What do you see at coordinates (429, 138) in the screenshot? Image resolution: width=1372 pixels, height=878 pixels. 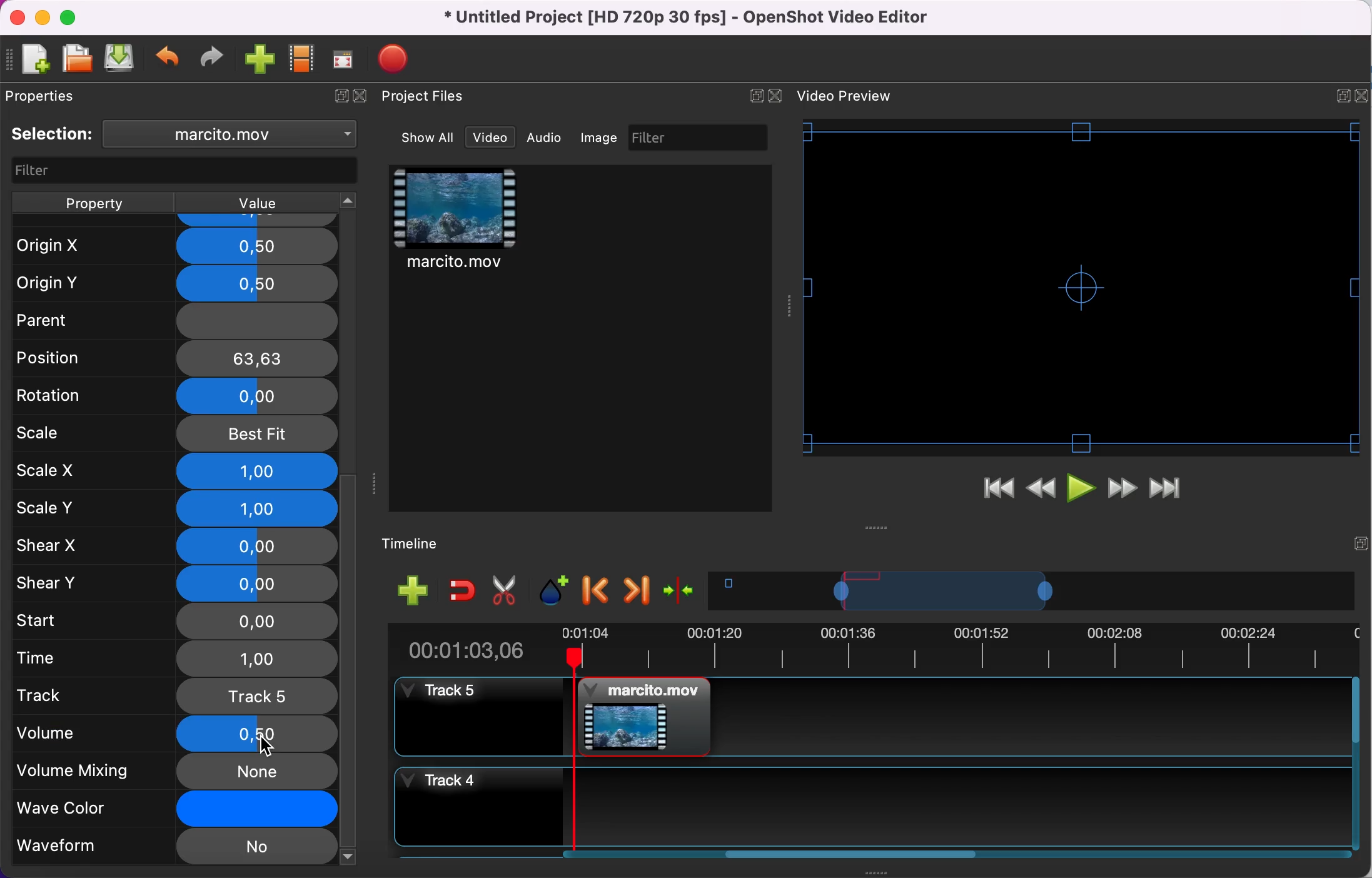 I see `show all` at bounding box center [429, 138].